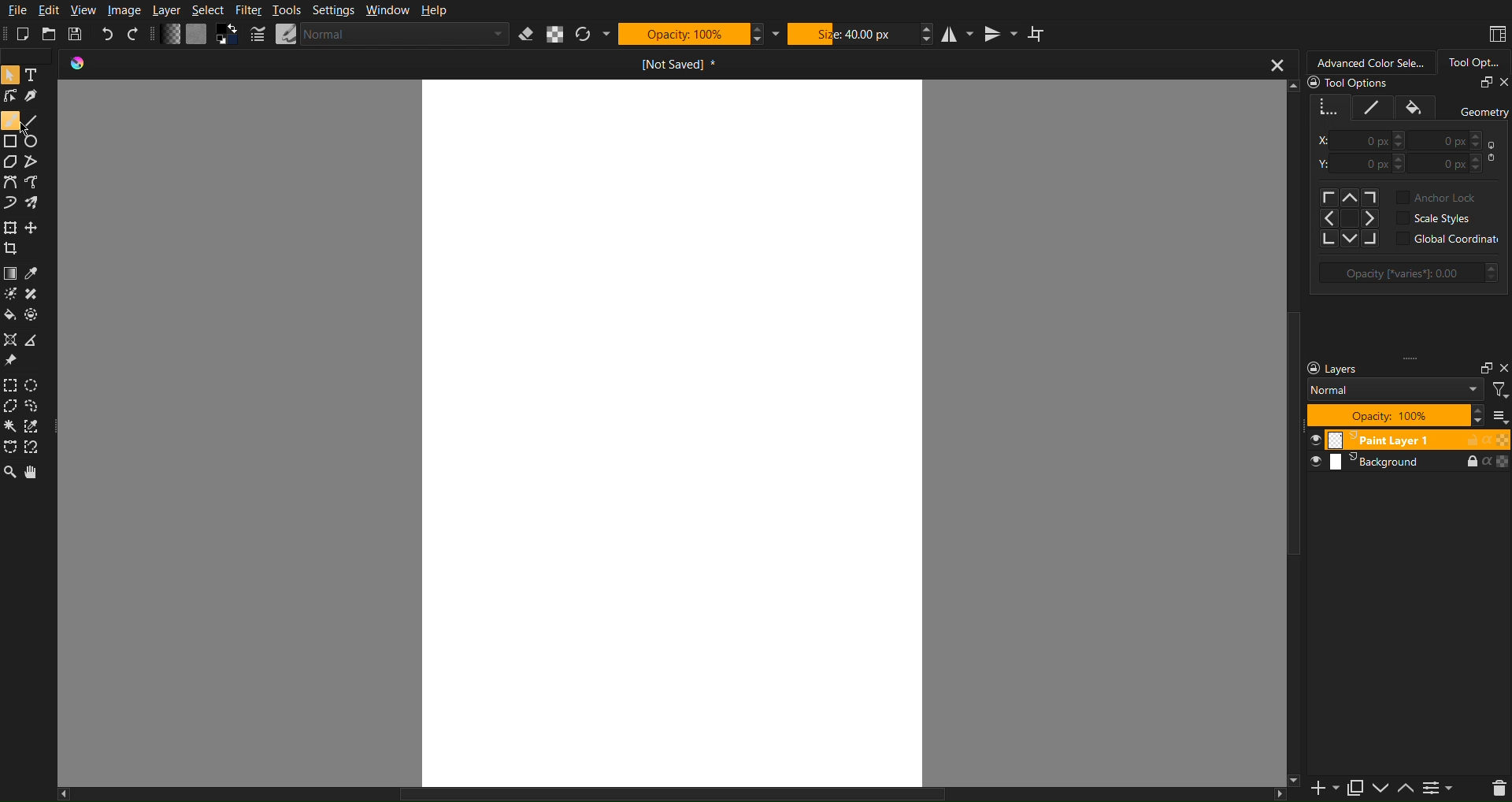 The image size is (1512, 802). I want to click on Work Space, so click(673, 433).